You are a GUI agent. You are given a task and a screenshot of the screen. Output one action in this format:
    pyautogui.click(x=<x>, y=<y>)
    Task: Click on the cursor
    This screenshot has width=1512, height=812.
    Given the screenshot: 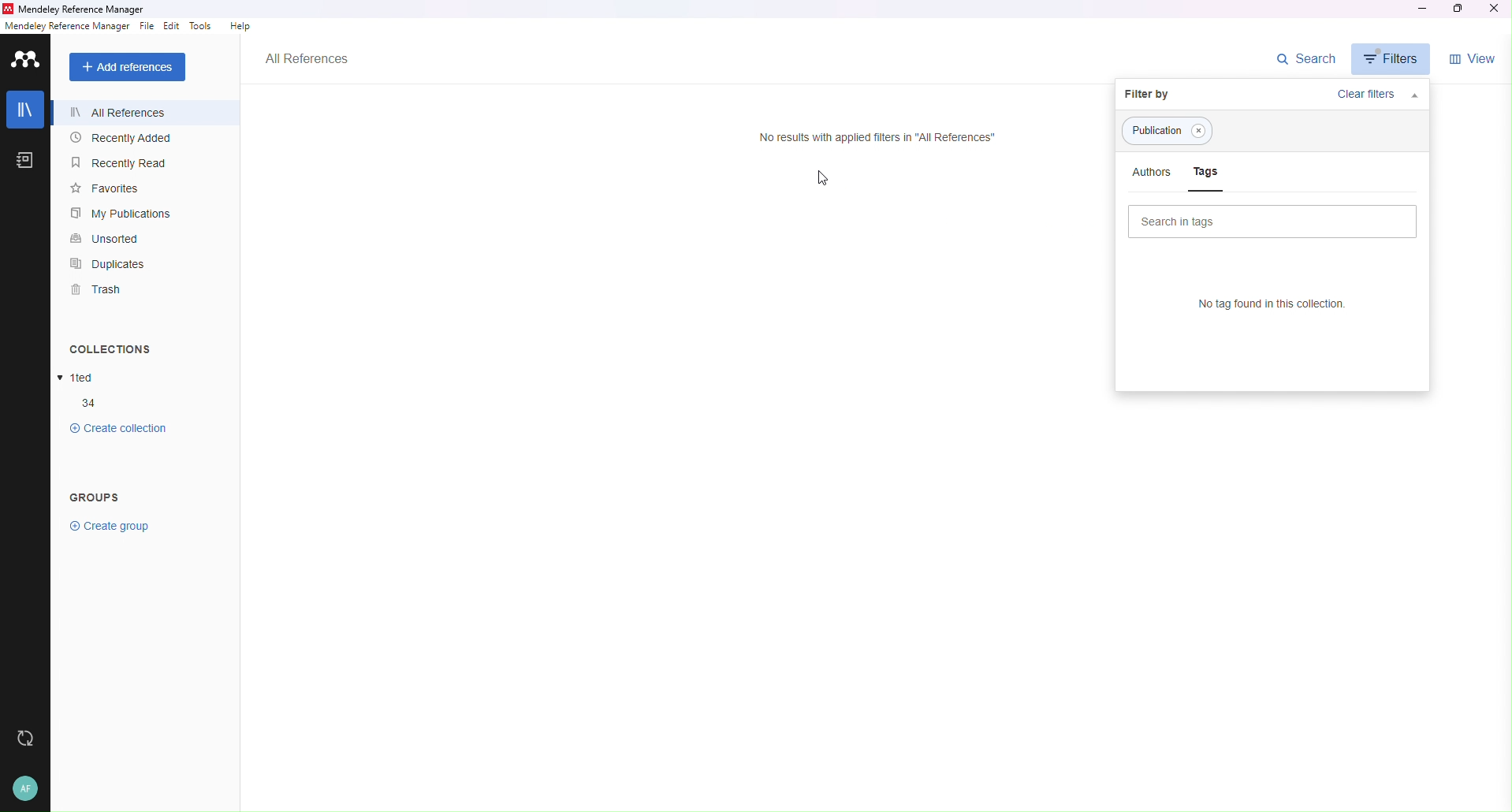 What is the action you would take?
    pyautogui.click(x=824, y=184)
    